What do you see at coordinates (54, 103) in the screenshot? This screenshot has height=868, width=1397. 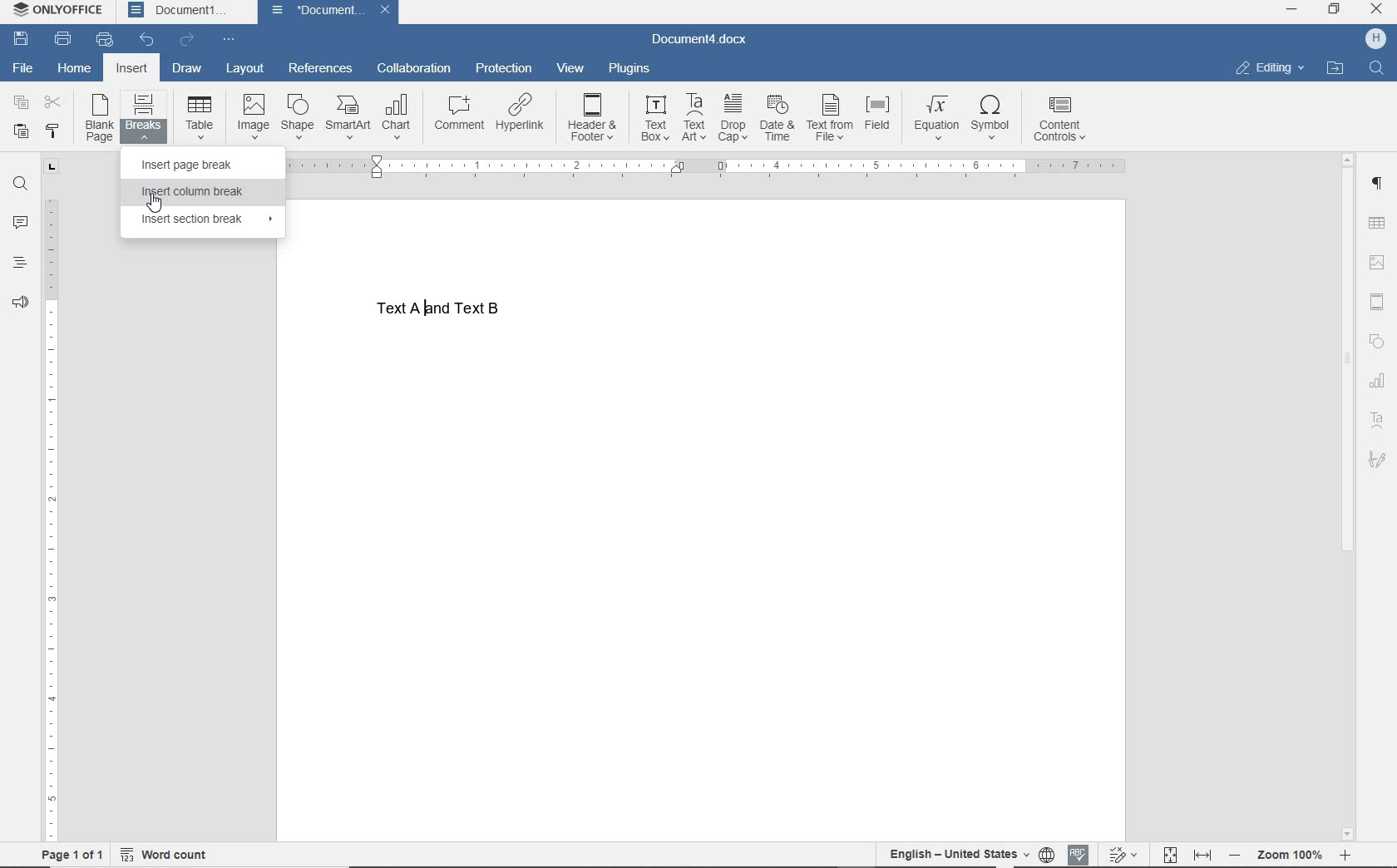 I see `CUT` at bounding box center [54, 103].